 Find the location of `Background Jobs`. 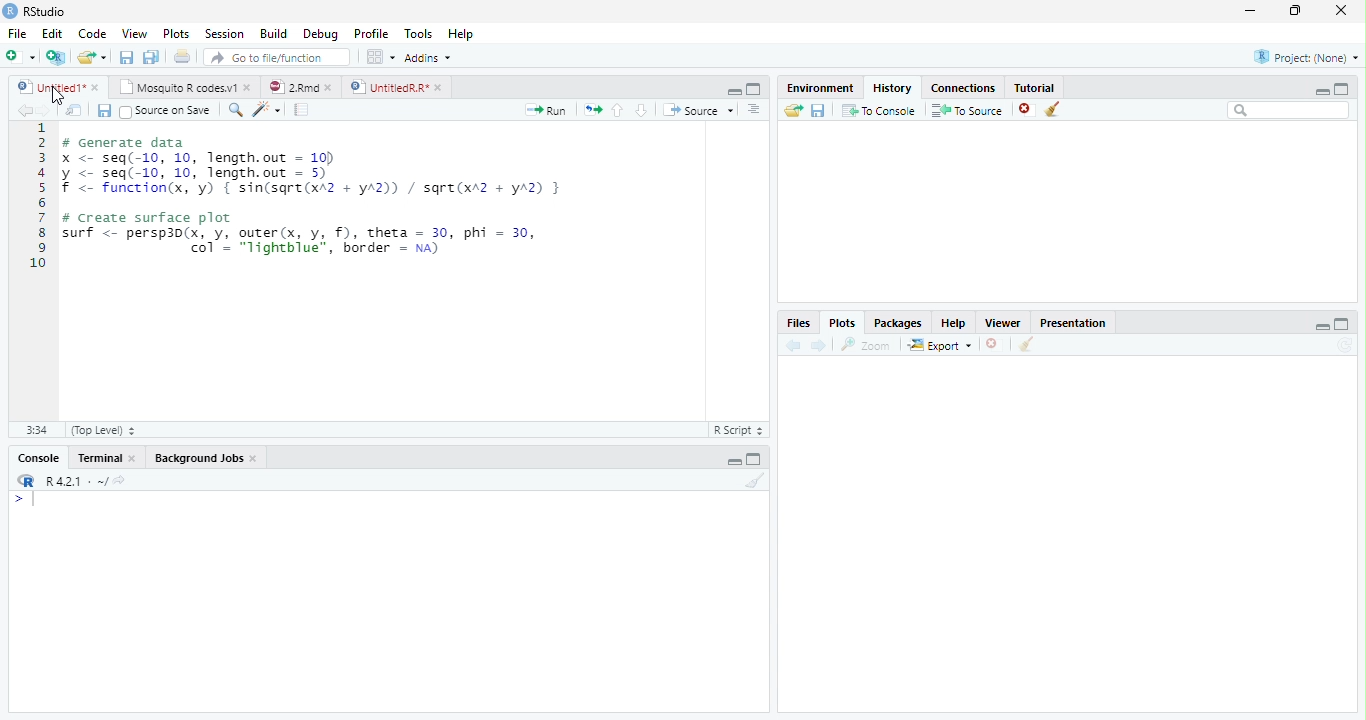

Background Jobs is located at coordinates (199, 458).